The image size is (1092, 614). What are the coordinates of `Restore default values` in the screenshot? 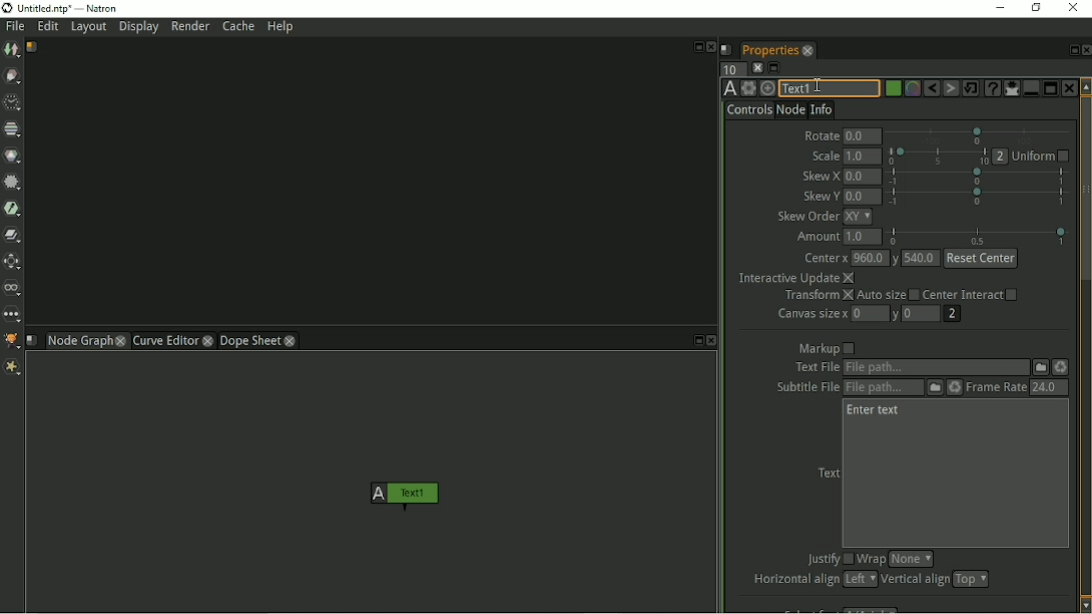 It's located at (971, 88).